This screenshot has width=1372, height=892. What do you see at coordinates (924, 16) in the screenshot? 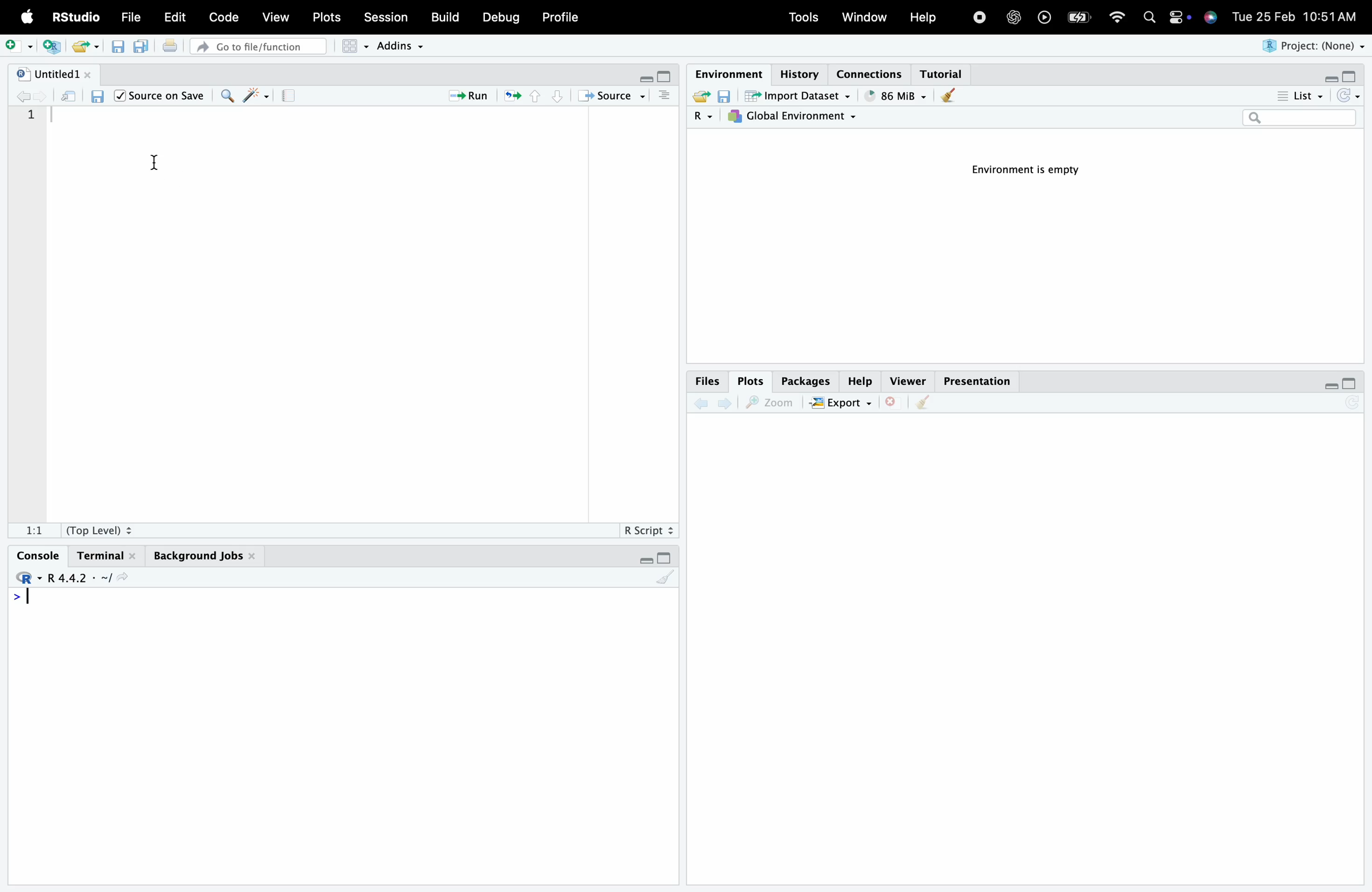
I see `Help` at bounding box center [924, 16].